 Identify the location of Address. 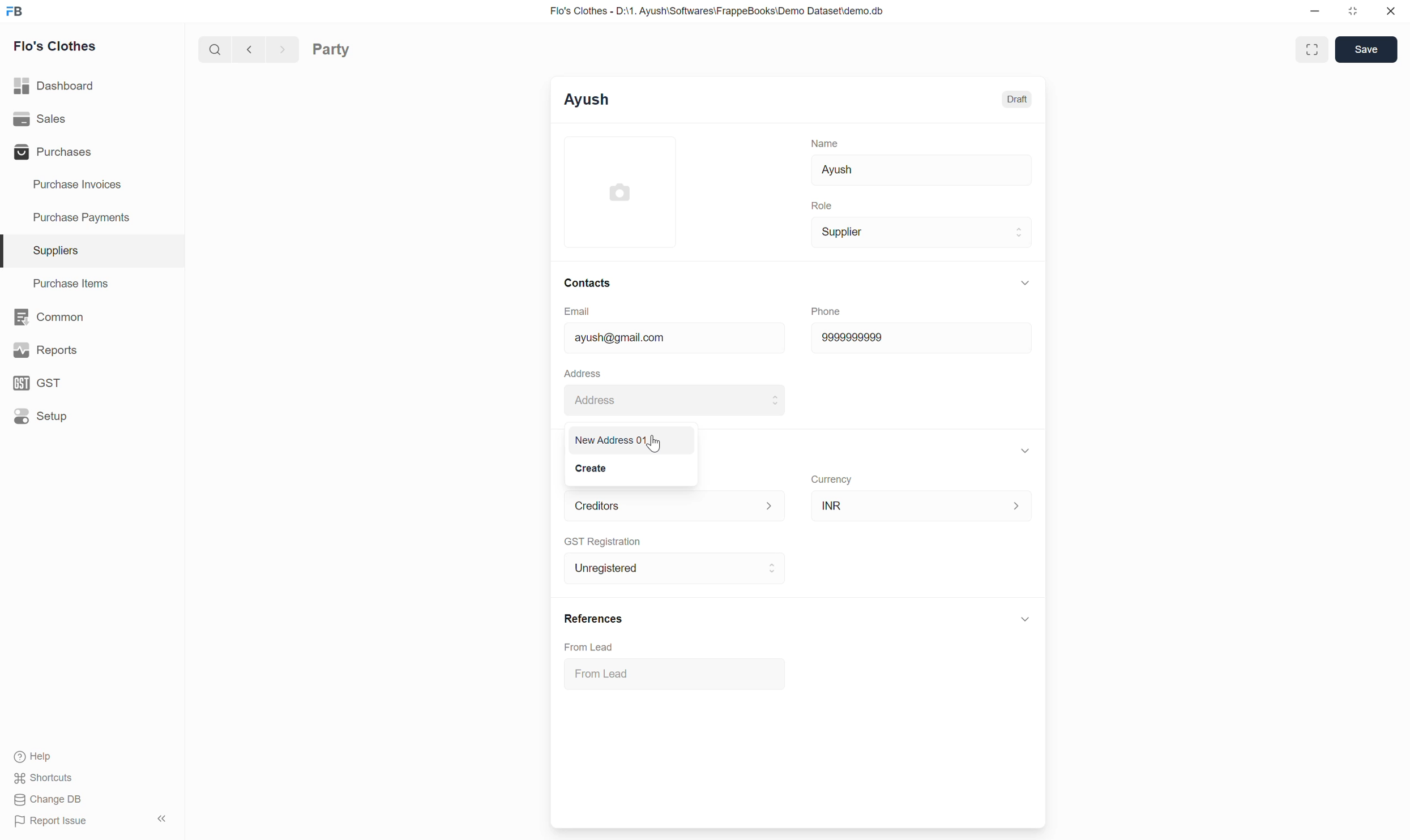
(674, 400).